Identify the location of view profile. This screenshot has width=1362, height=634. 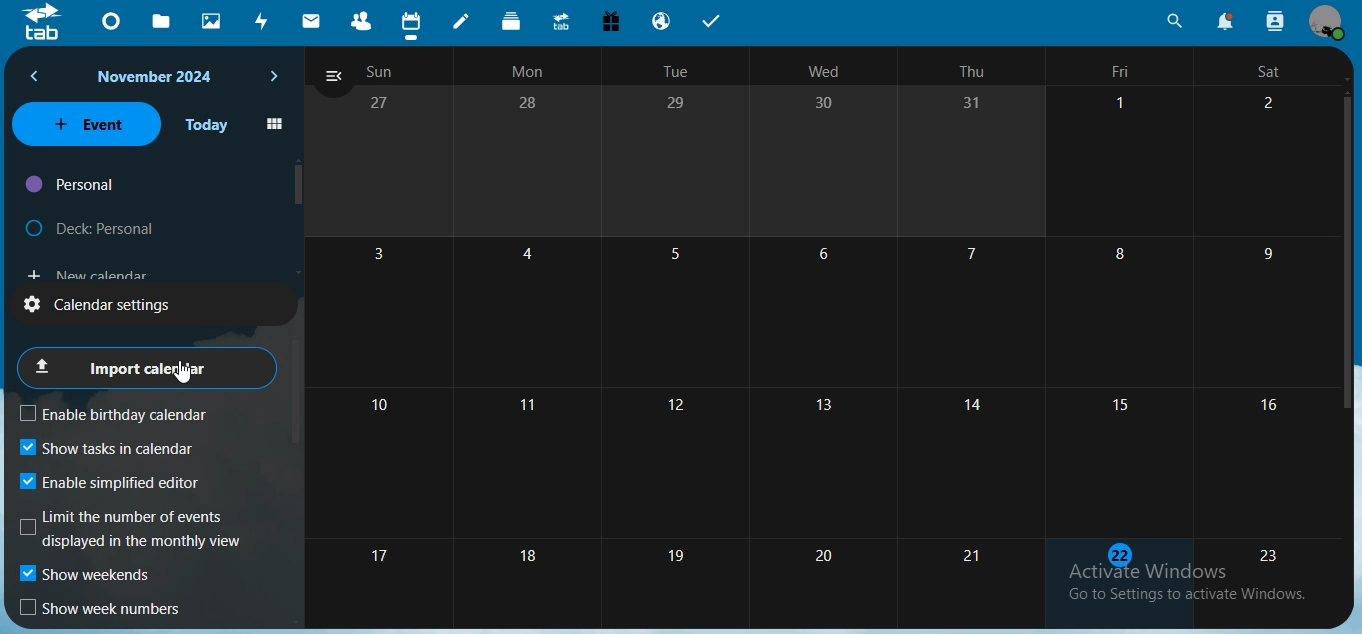
(1325, 22).